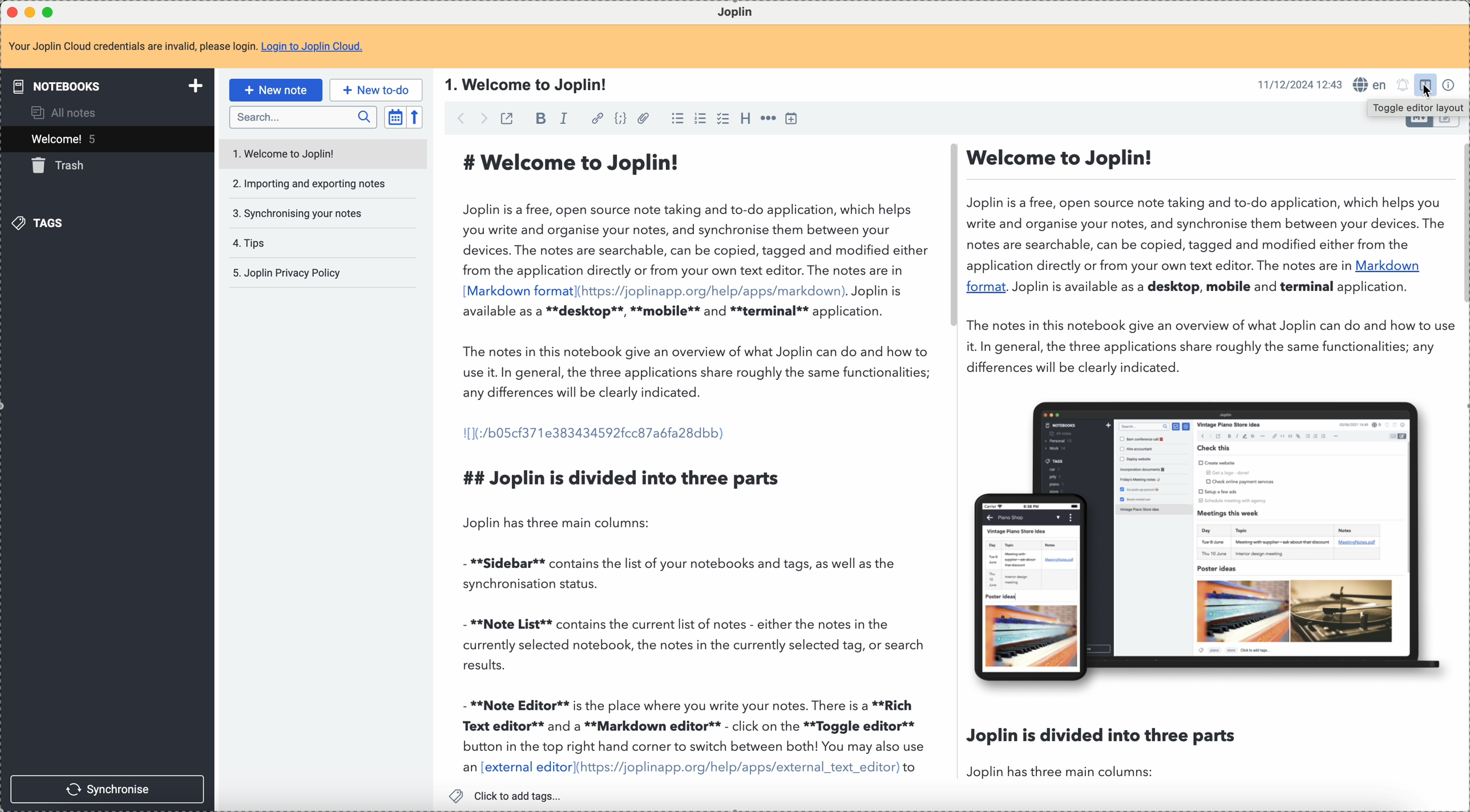  Describe the element at coordinates (518, 290) in the screenshot. I see `[Markdown format]` at that location.